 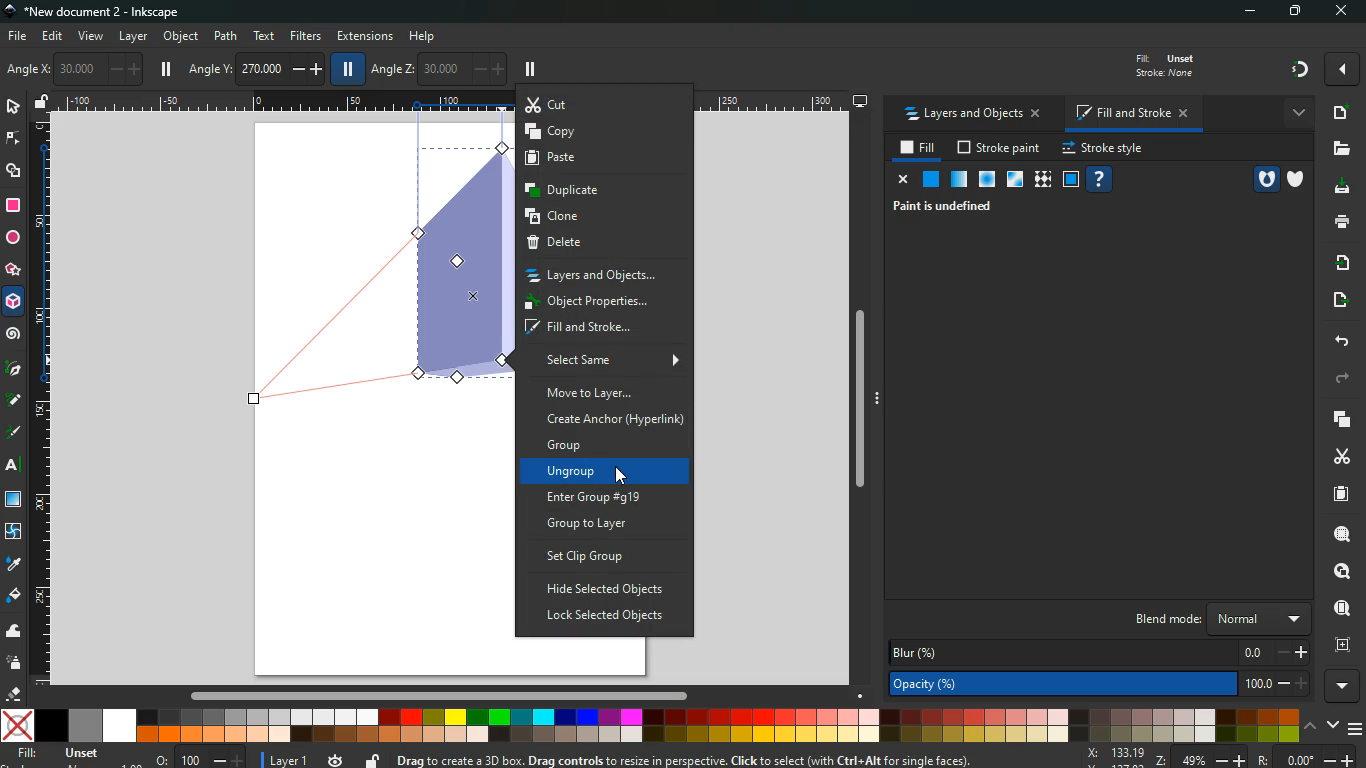 What do you see at coordinates (1338, 341) in the screenshot?
I see `back` at bounding box center [1338, 341].